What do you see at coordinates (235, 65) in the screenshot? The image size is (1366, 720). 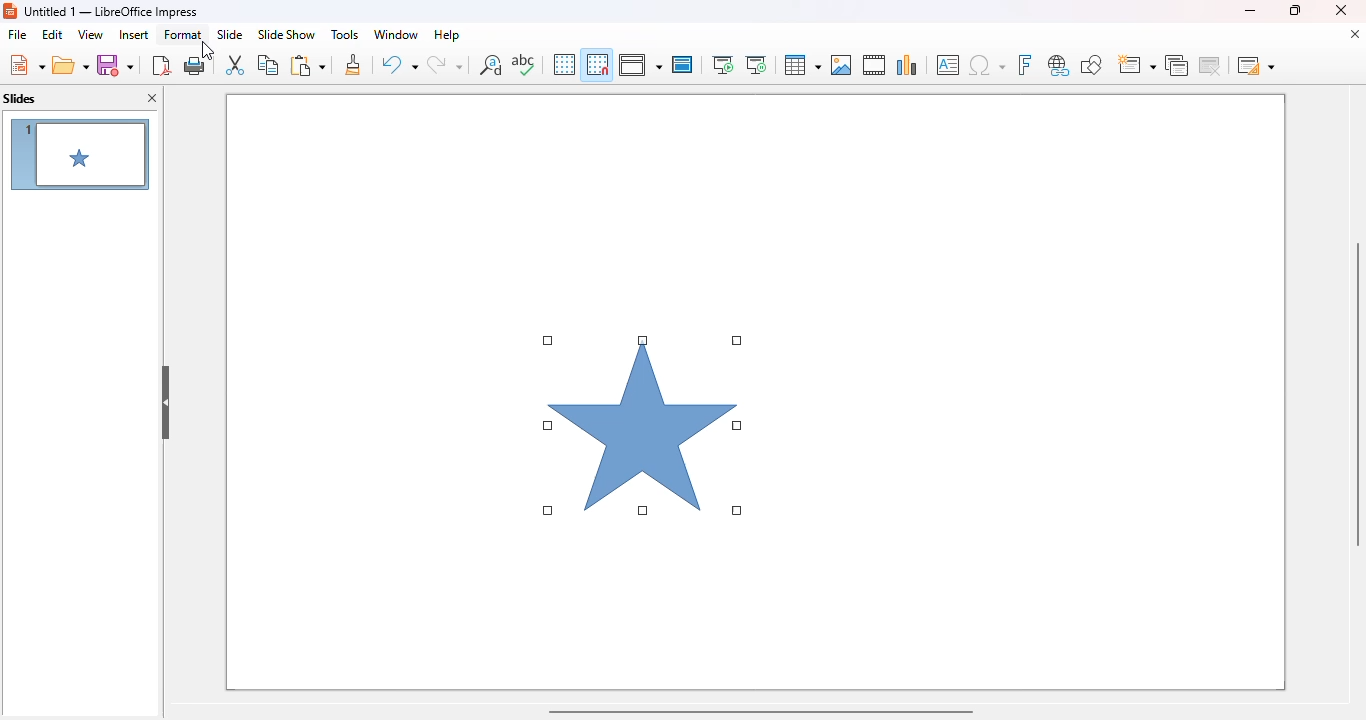 I see `cut` at bounding box center [235, 65].